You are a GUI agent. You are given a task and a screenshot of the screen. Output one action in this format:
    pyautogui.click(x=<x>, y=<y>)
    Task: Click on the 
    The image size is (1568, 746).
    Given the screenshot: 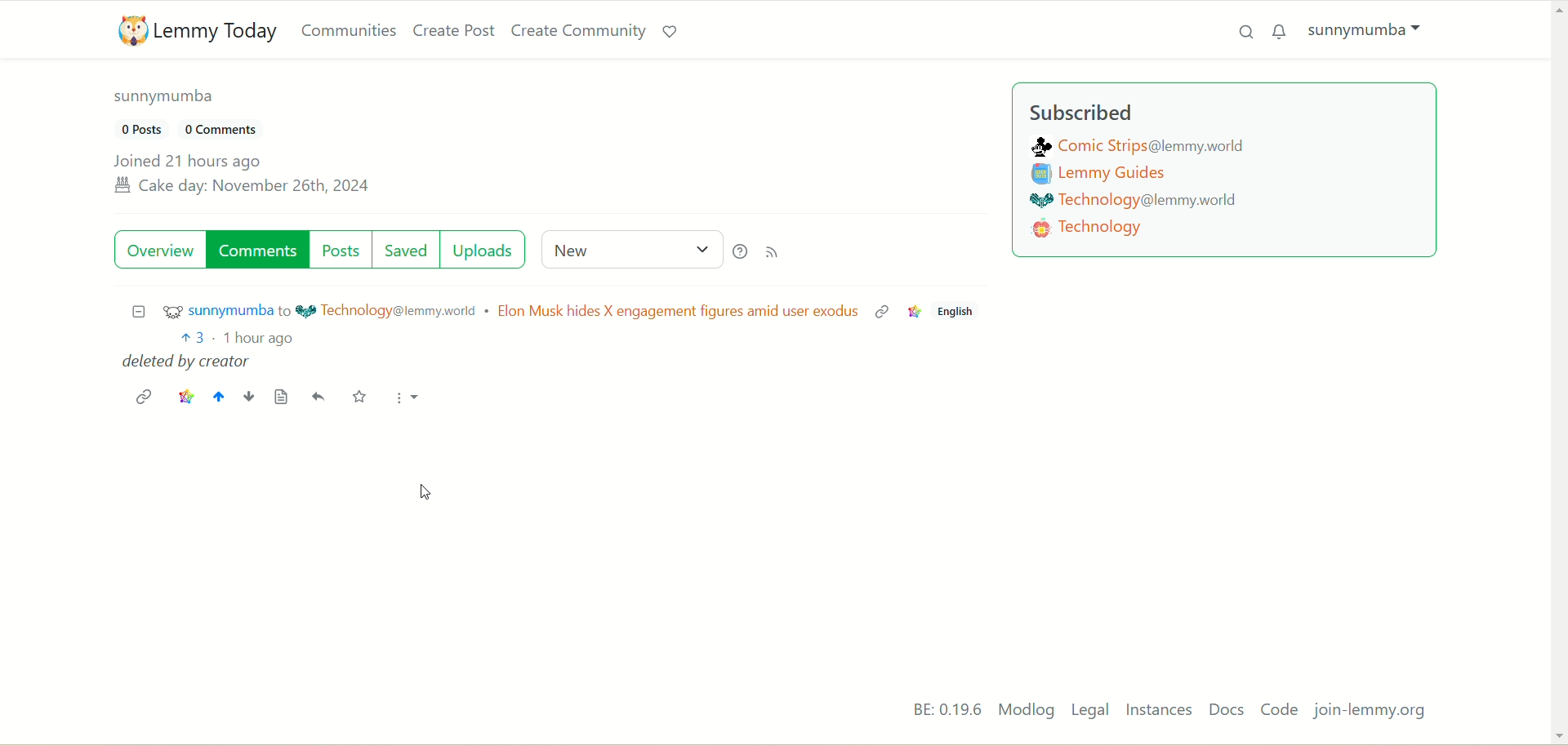 What is the action you would take?
    pyautogui.click(x=881, y=313)
    